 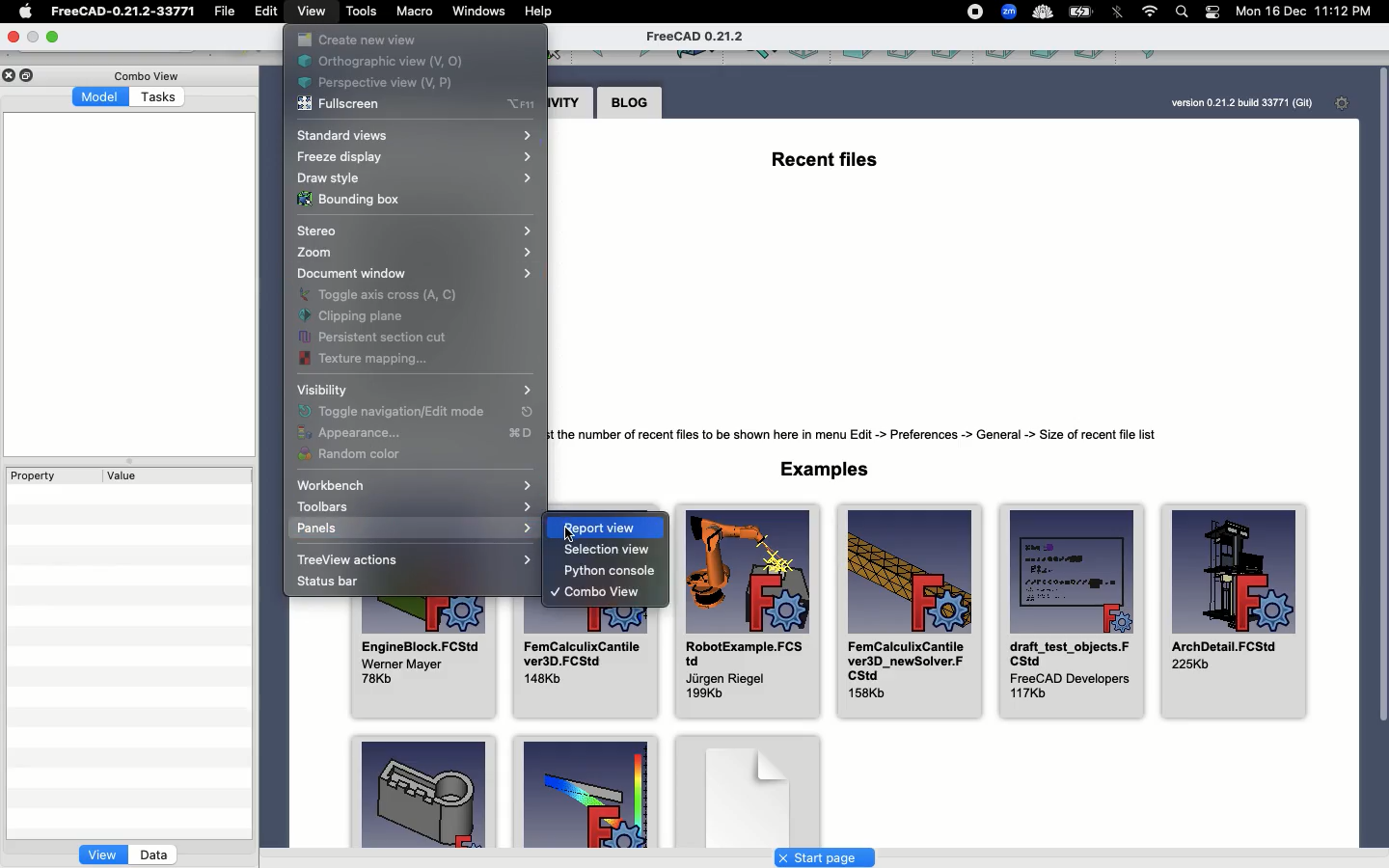 I want to click on Apple, so click(x=29, y=12).